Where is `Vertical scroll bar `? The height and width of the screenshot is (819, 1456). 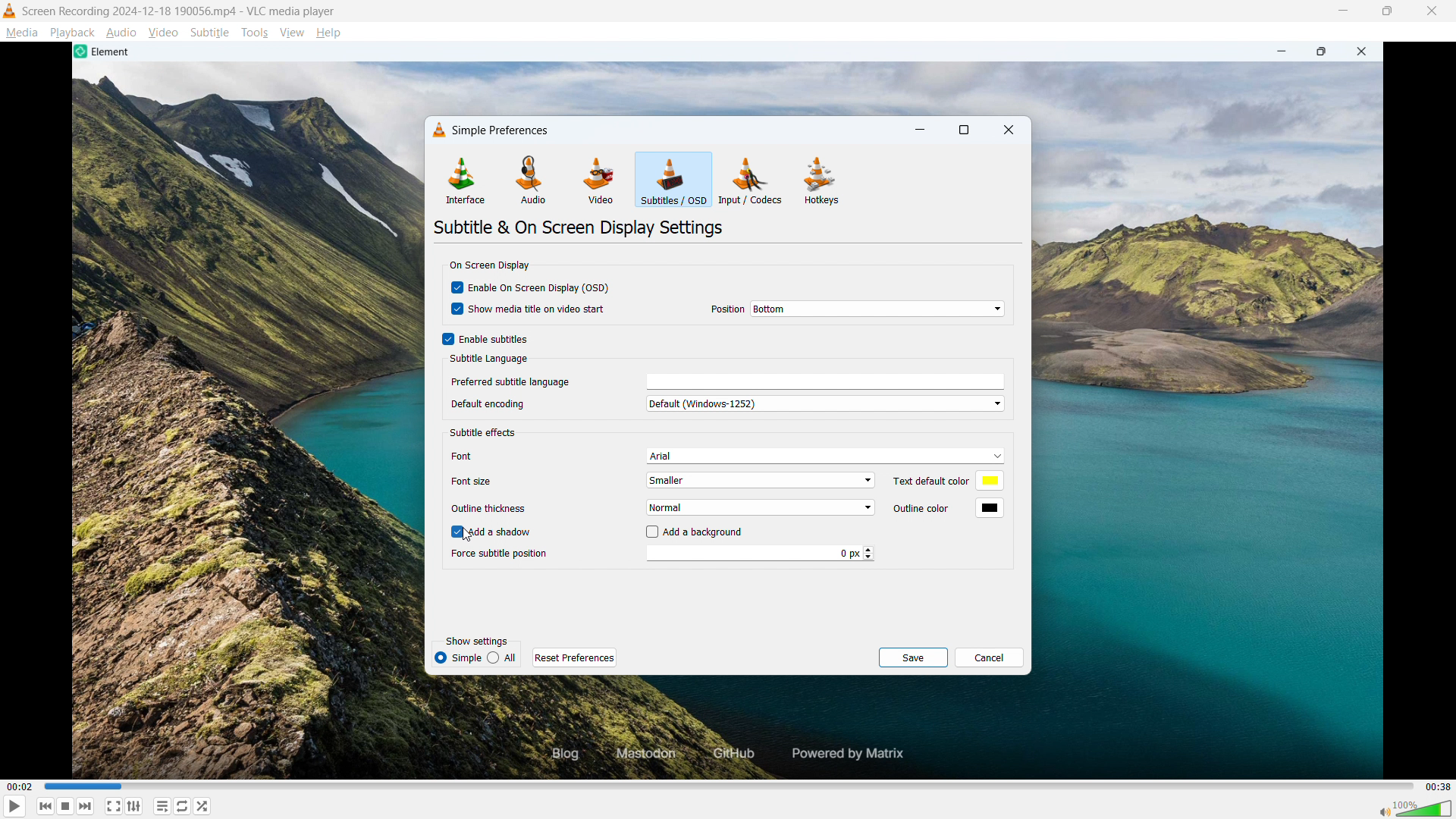
Vertical scroll bar  is located at coordinates (1014, 390).